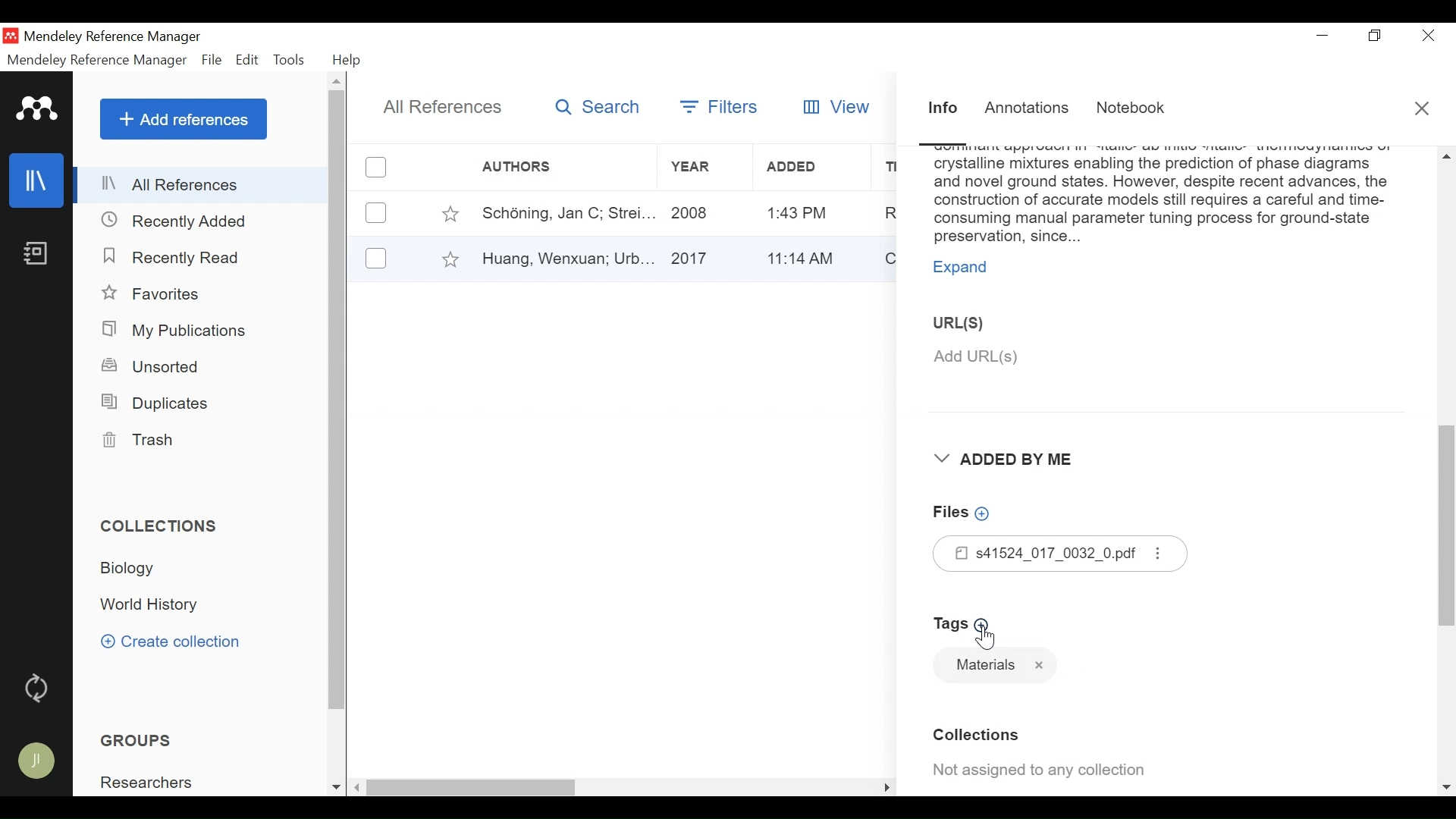 Image resolution: width=1456 pixels, height=819 pixels. I want to click on (un)select all, so click(376, 168).